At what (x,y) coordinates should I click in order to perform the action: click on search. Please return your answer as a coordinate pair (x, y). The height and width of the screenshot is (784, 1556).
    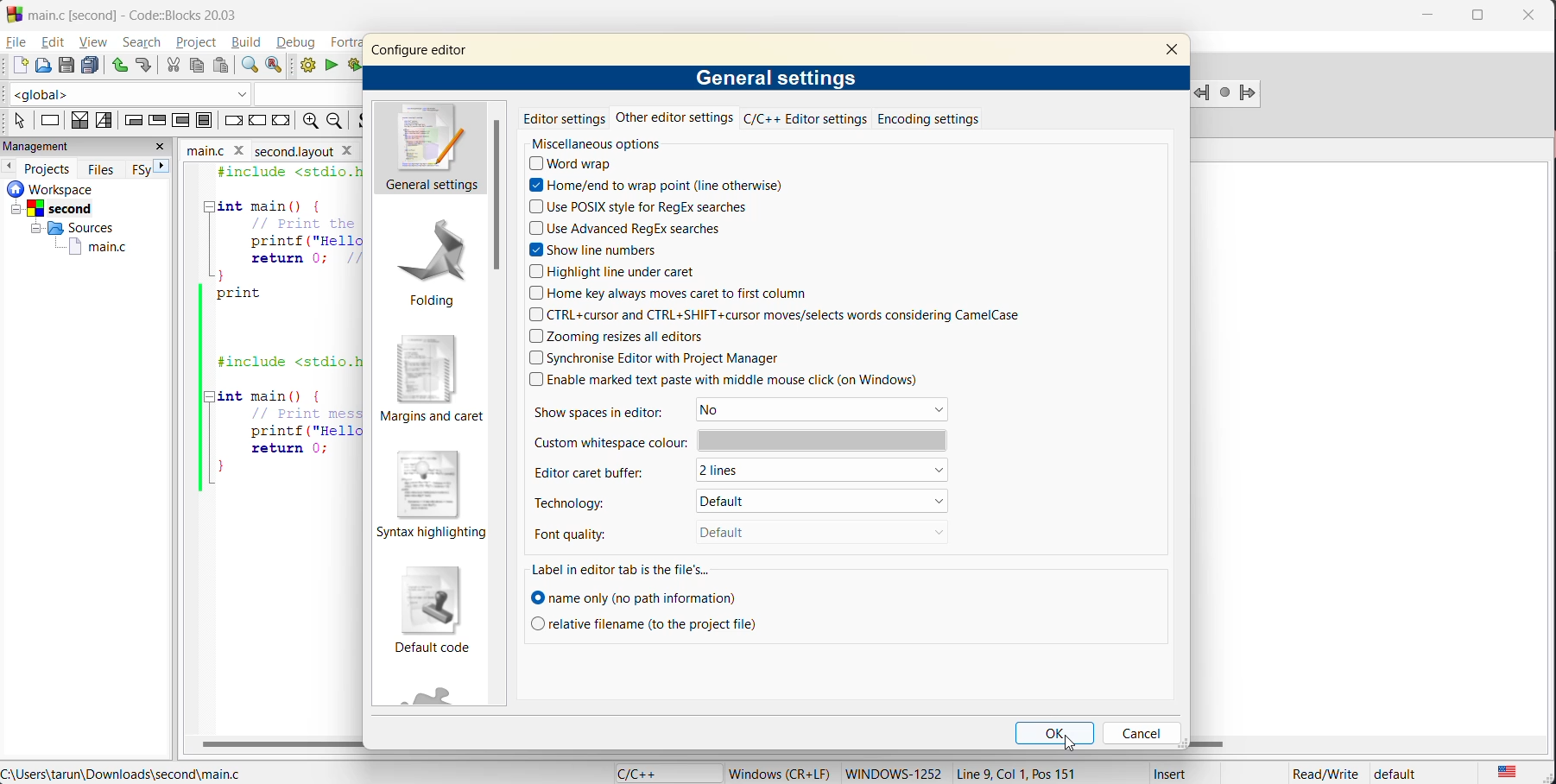
    Looking at the image, I should click on (145, 42).